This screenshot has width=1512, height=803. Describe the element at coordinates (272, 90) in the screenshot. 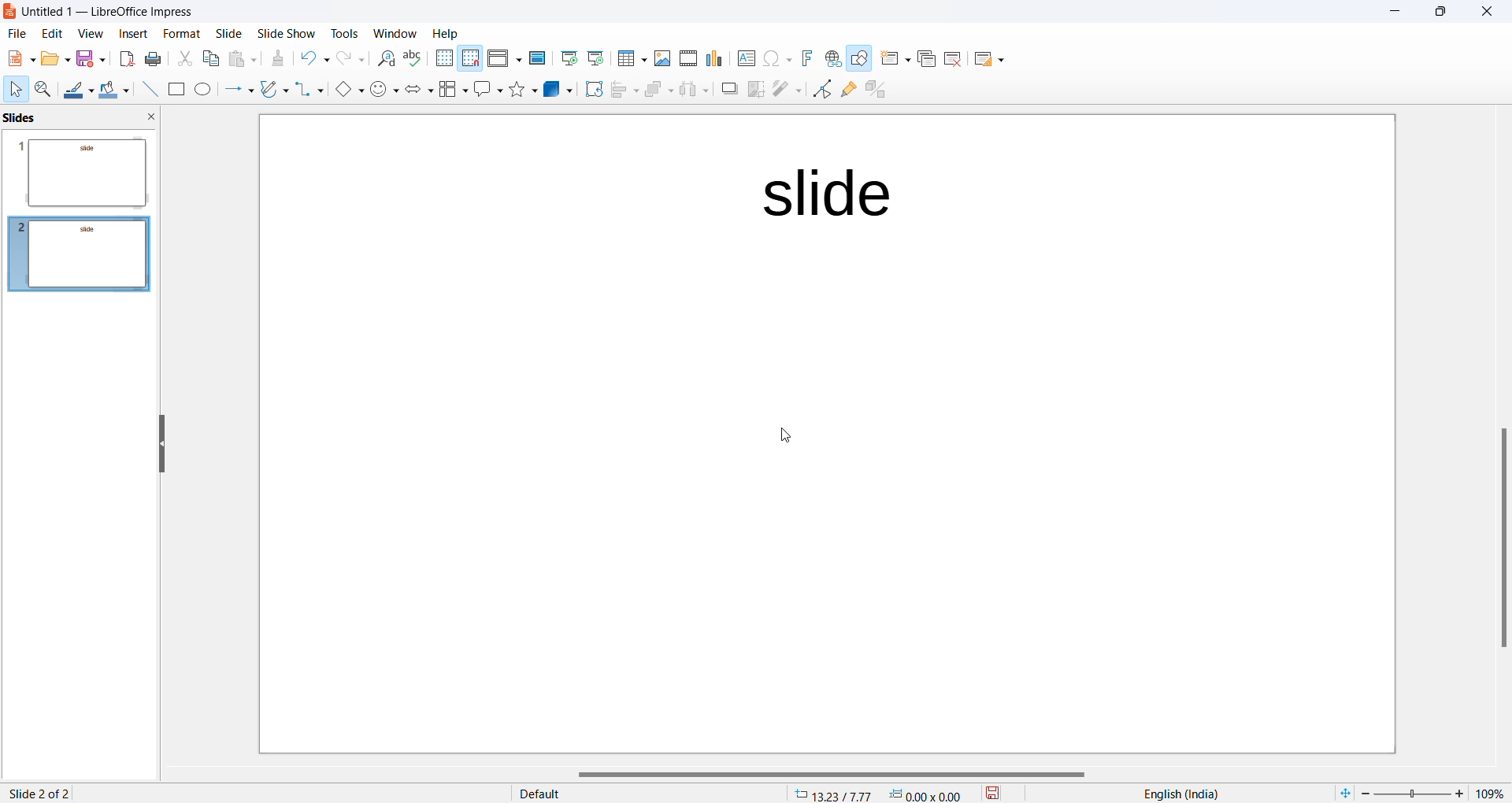

I see `curve and polygons` at that location.